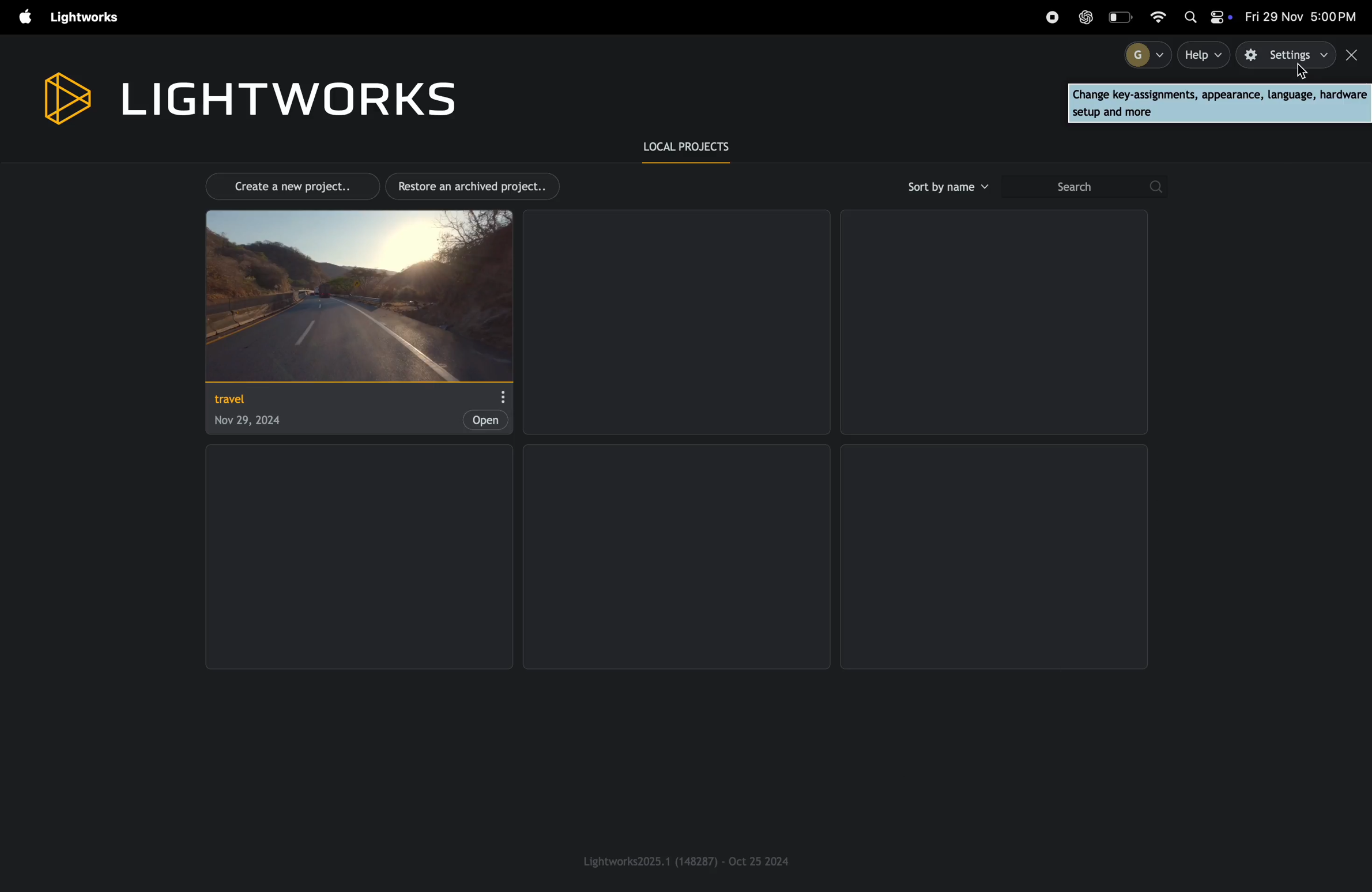  What do you see at coordinates (1051, 17) in the screenshot?
I see `record` at bounding box center [1051, 17].